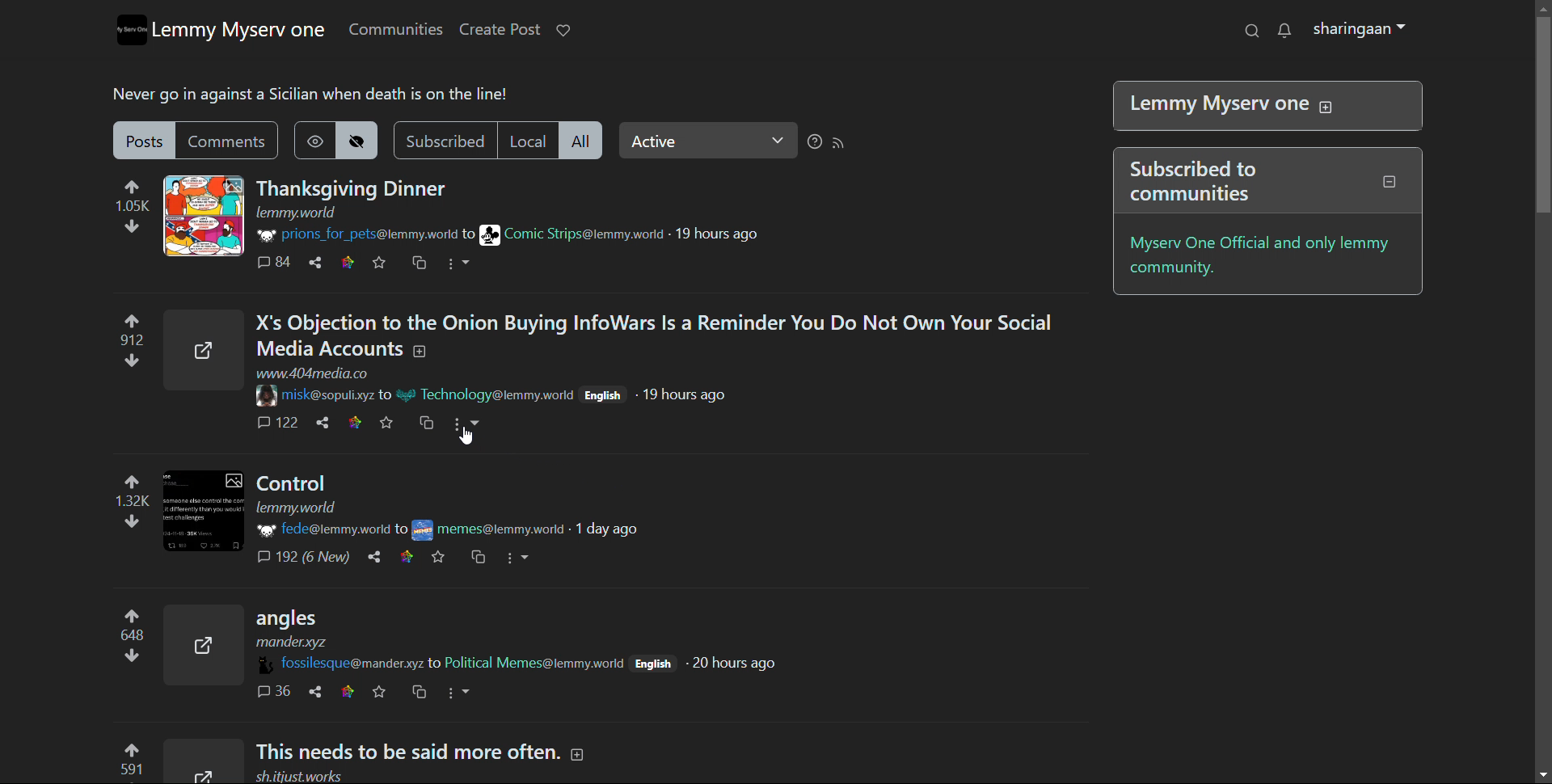 Image resolution: width=1552 pixels, height=784 pixels. What do you see at coordinates (521, 560) in the screenshot?
I see `More` at bounding box center [521, 560].